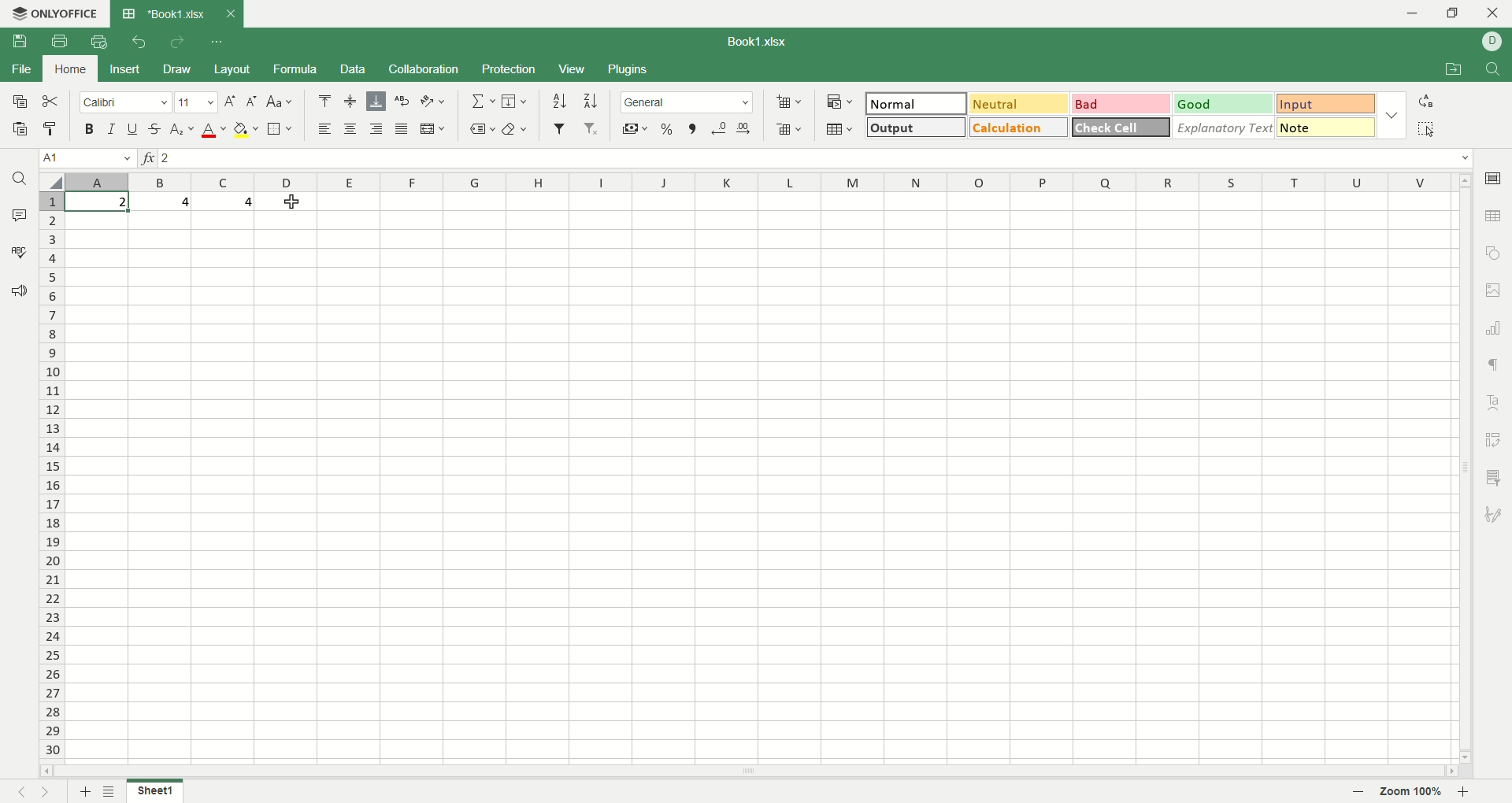 This screenshot has height=803, width=1512. I want to click on general, so click(689, 104).